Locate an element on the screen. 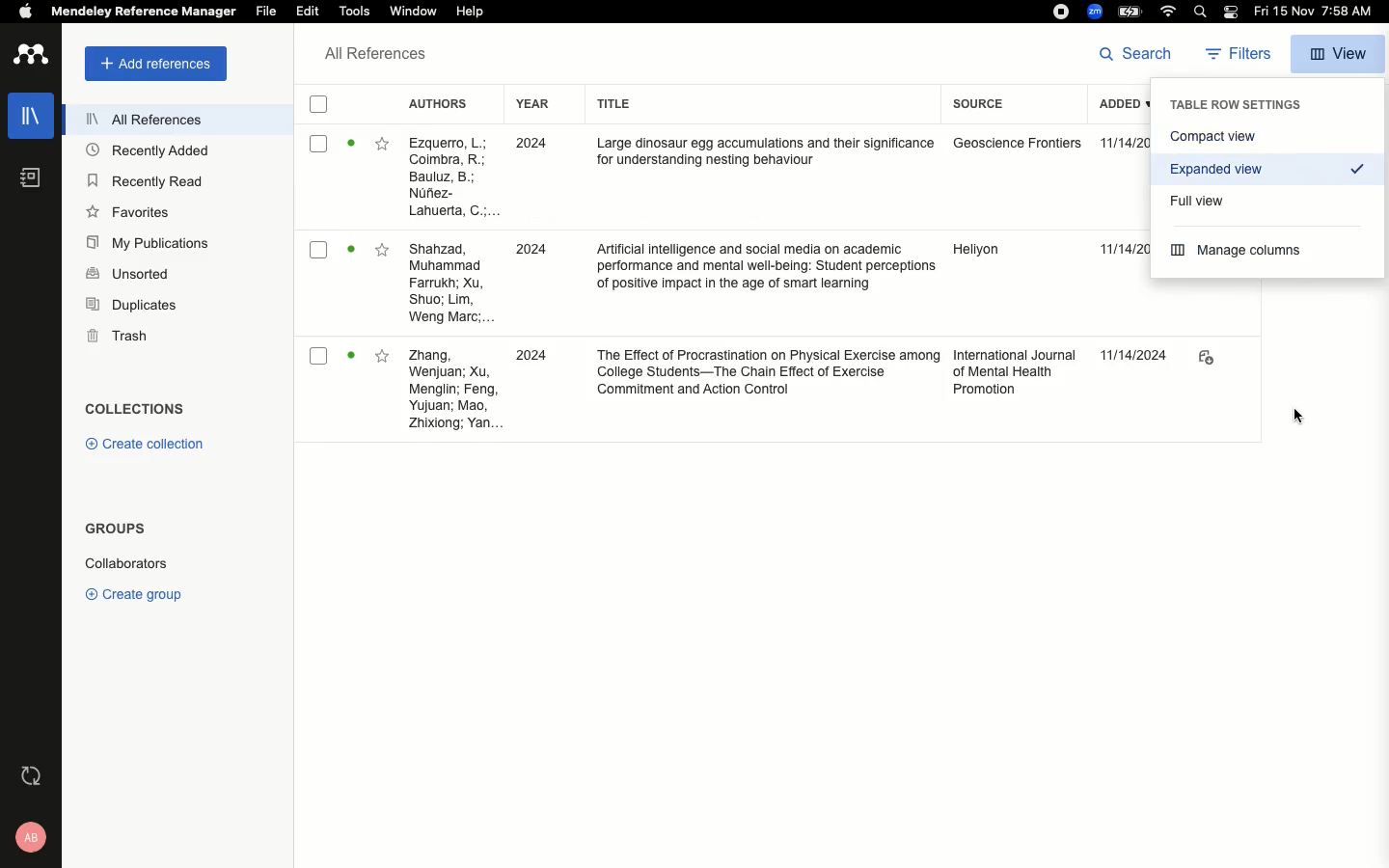 This screenshot has height=868, width=1389. checkbox is located at coordinates (317, 105).